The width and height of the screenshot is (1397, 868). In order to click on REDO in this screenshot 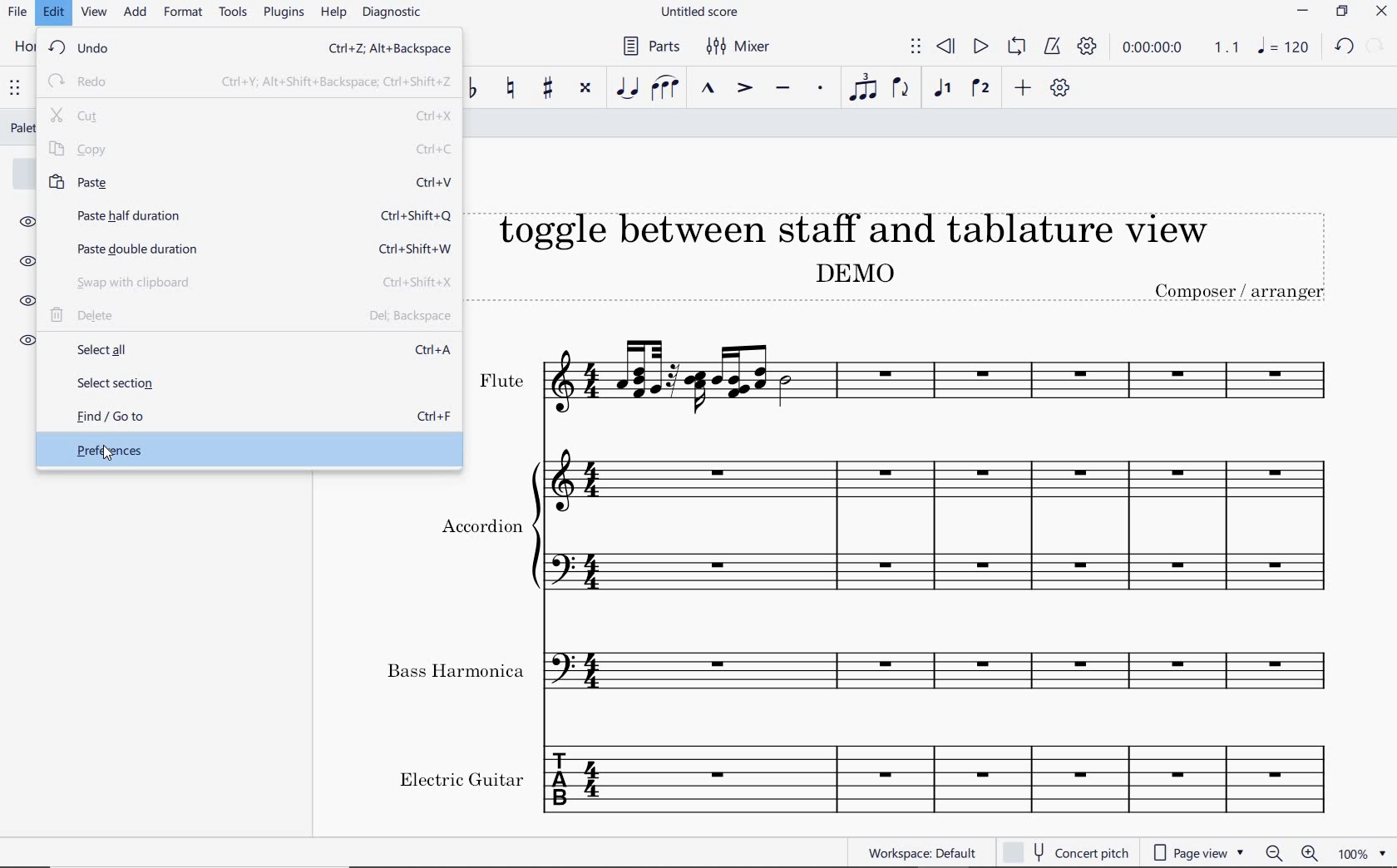, I will do `click(1375, 47)`.